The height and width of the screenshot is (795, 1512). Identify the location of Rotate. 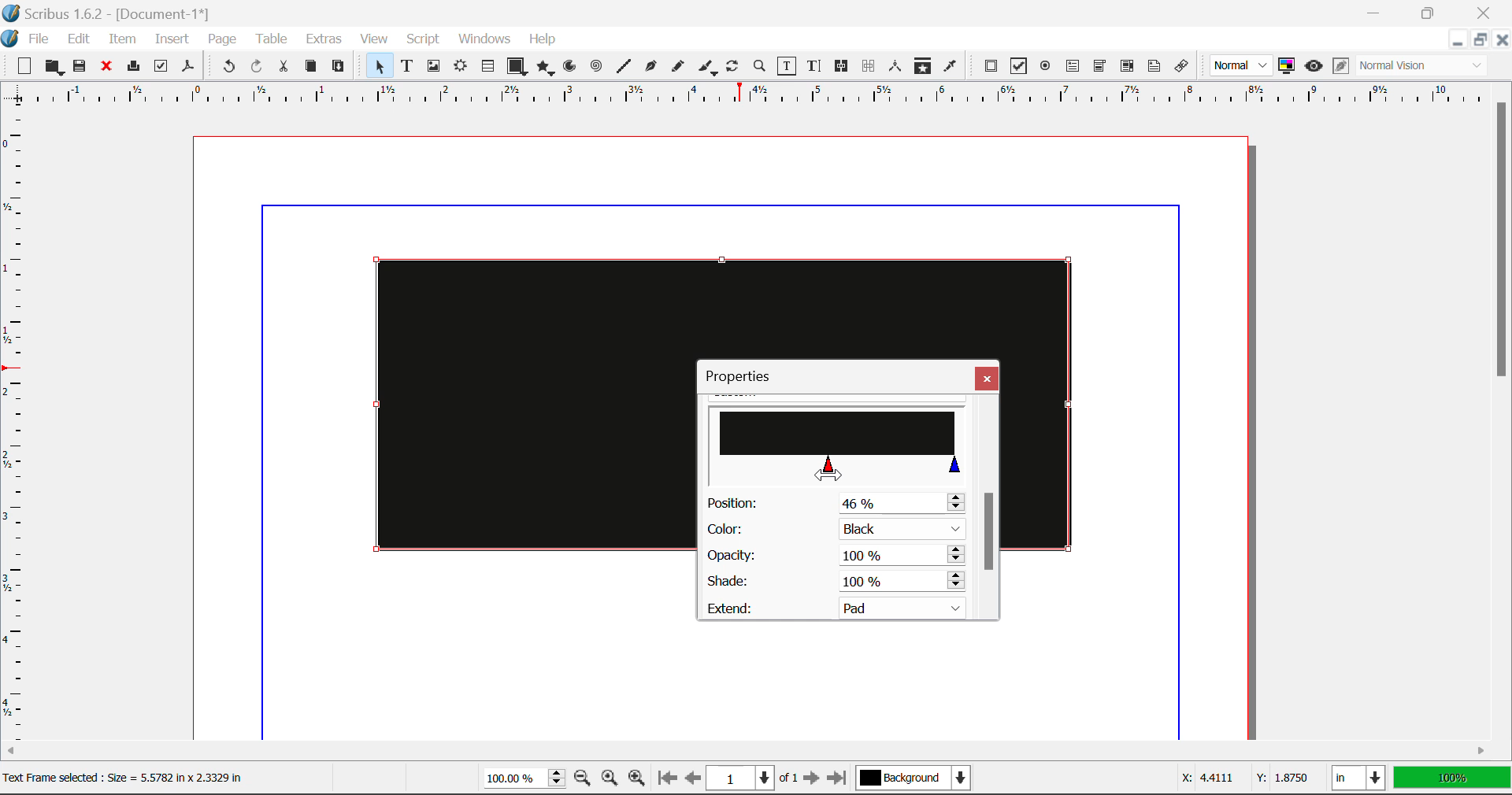
(733, 66).